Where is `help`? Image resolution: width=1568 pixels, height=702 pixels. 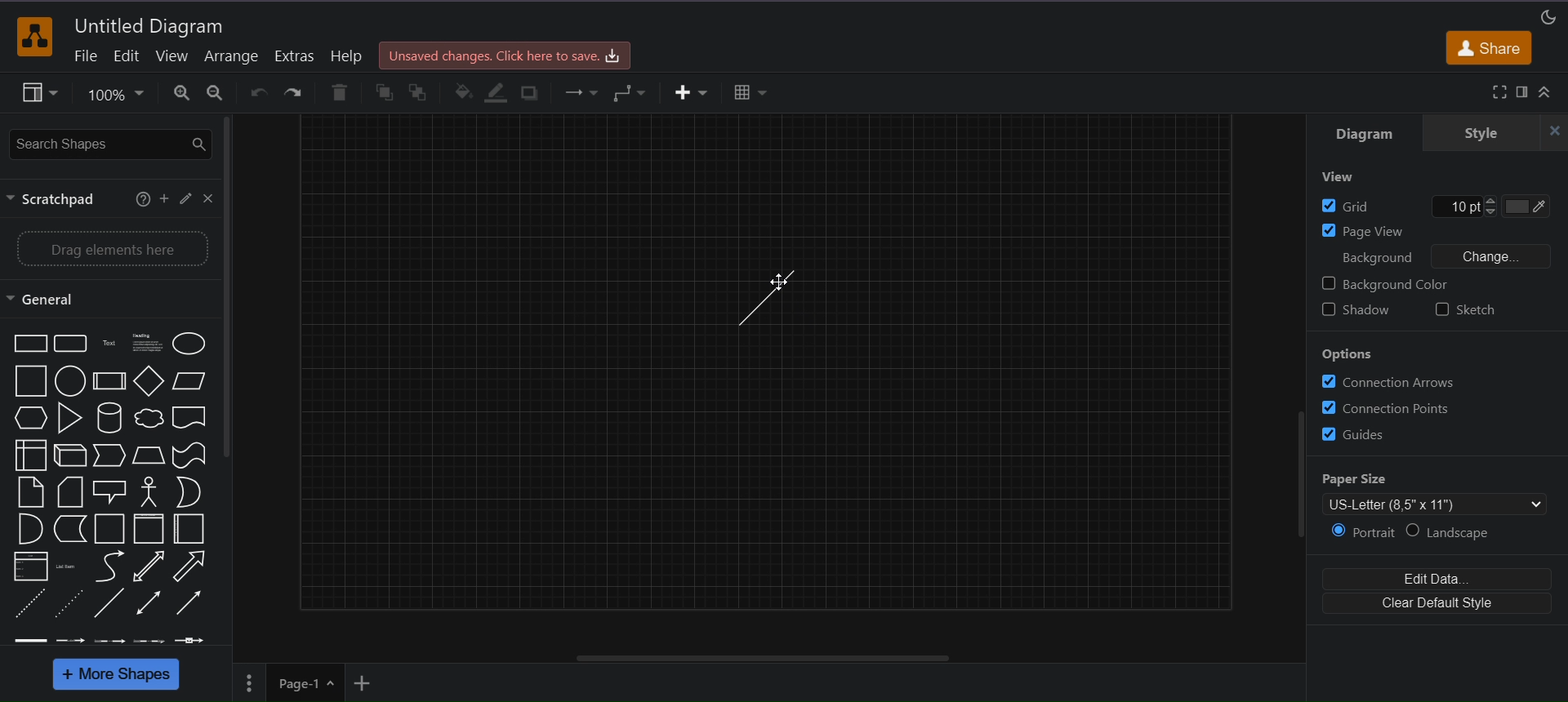
help is located at coordinates (140, 200).